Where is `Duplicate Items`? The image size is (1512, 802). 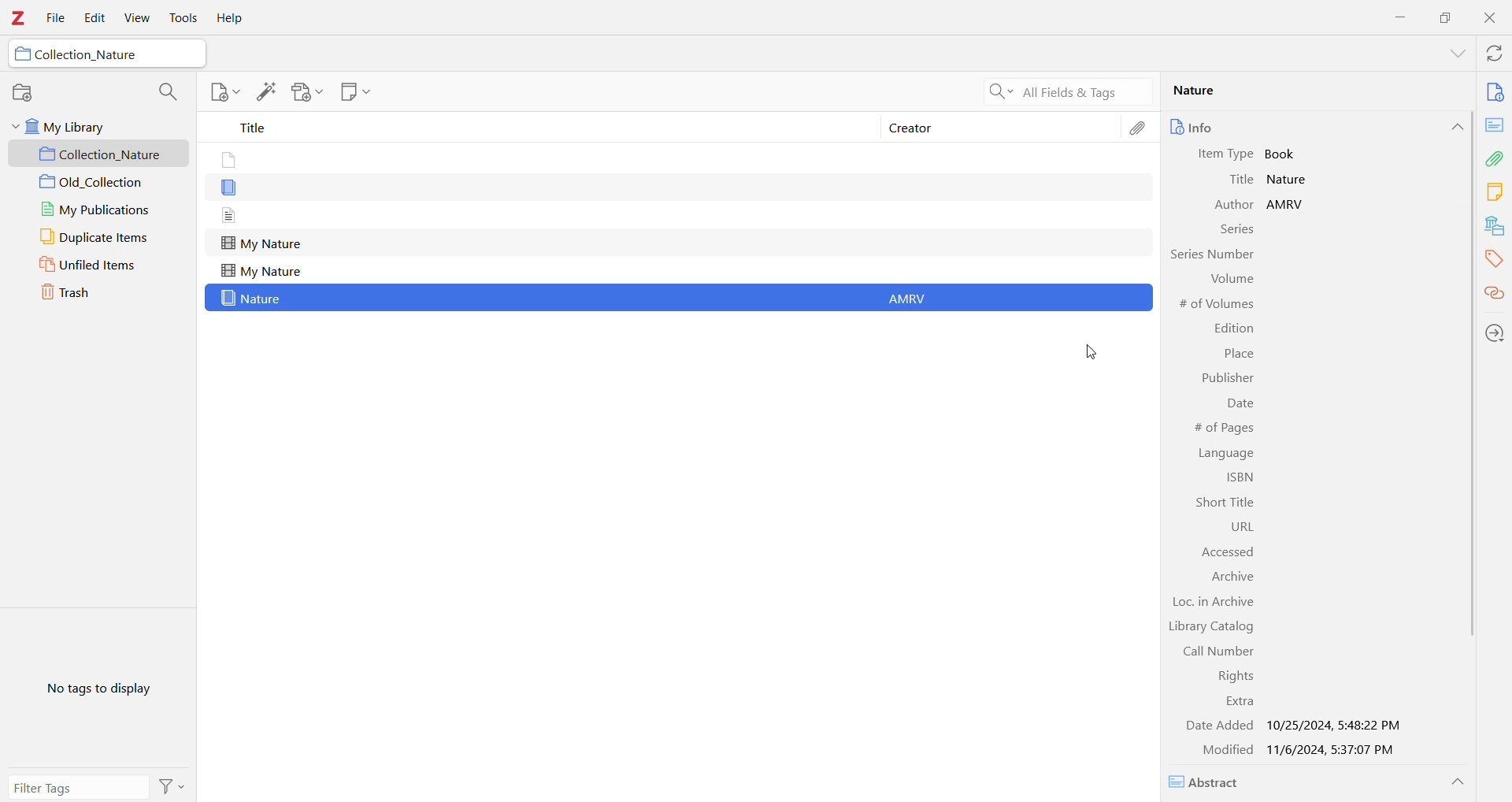 Duplicate Items is located at coordinates (95, 237).